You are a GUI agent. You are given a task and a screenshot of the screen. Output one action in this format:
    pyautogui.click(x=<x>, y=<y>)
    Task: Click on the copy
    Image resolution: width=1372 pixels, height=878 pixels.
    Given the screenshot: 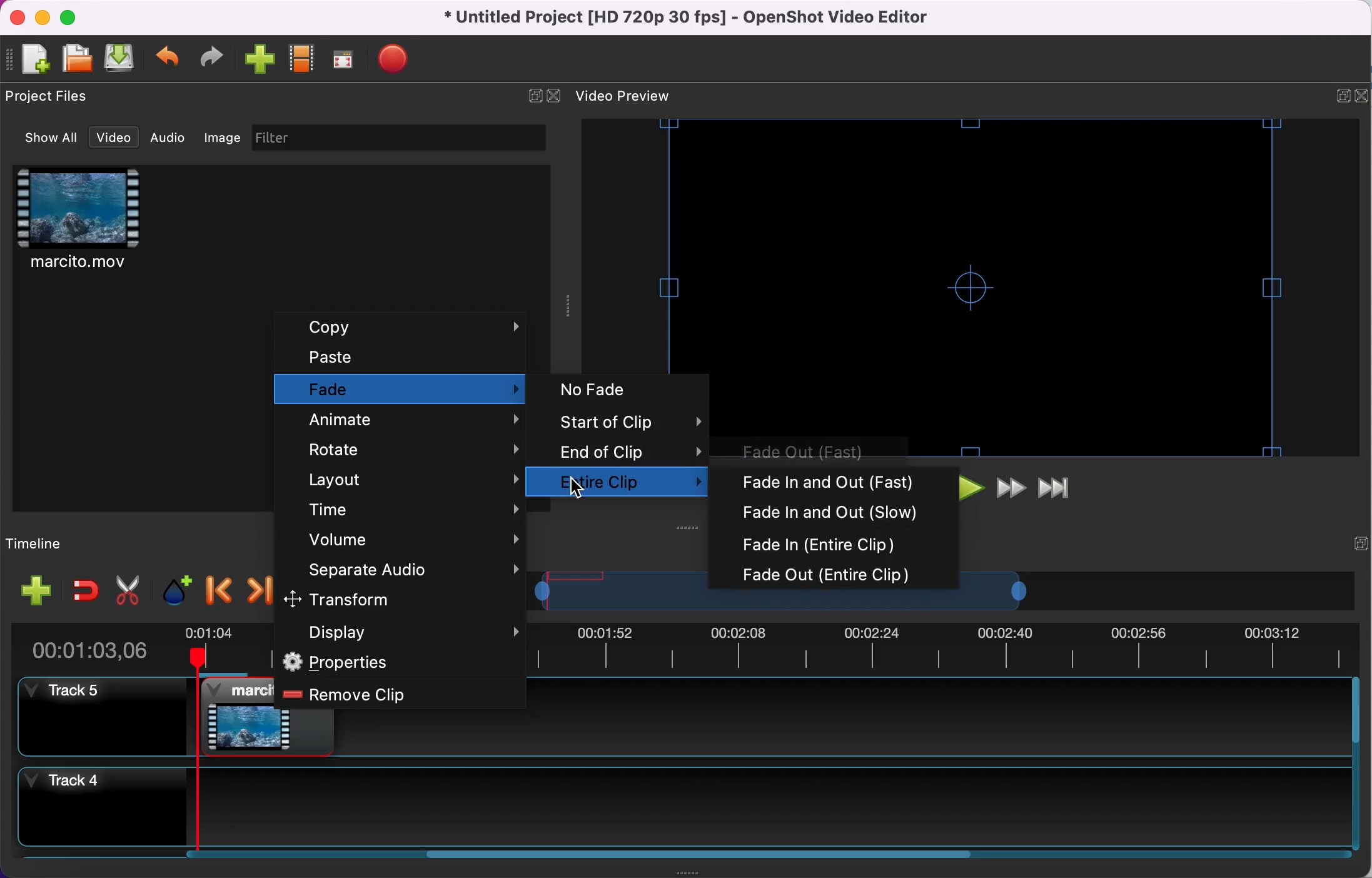 What is the action you would take?
    pyautogui.click(x=408, y=326)
    